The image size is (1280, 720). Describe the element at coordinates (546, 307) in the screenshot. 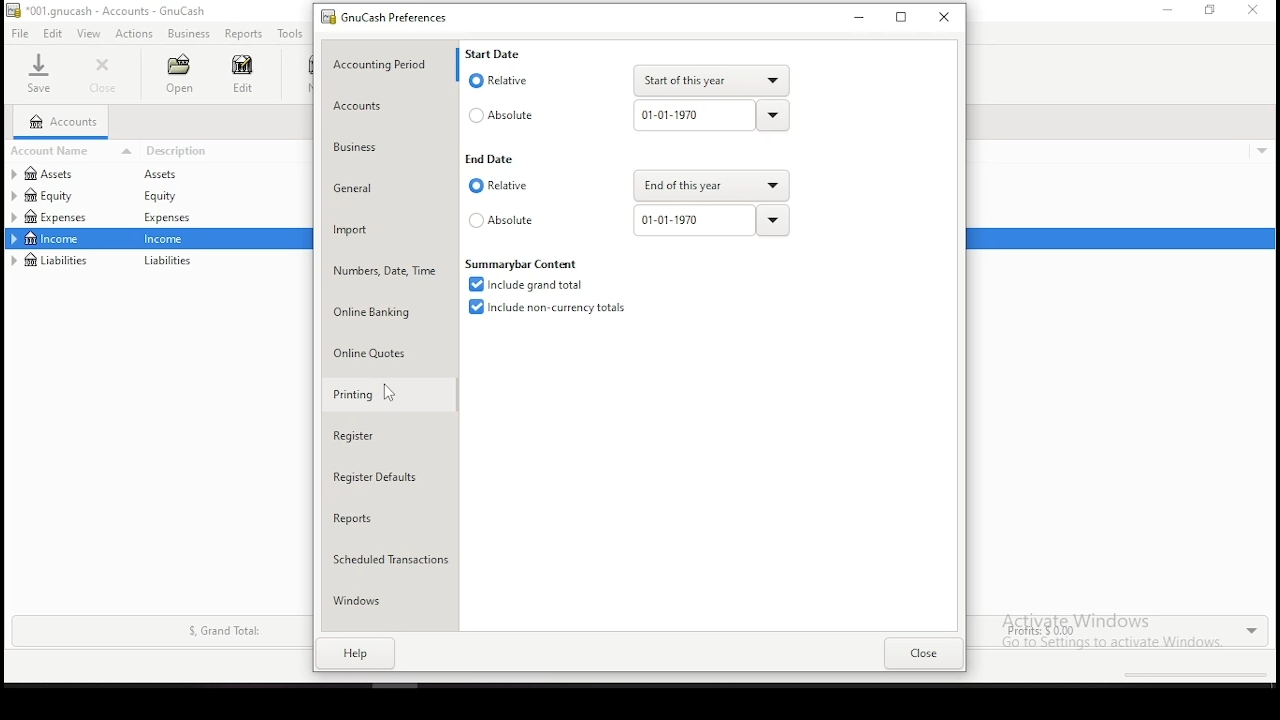

I see `checkbox: include non currency totals` at that location.